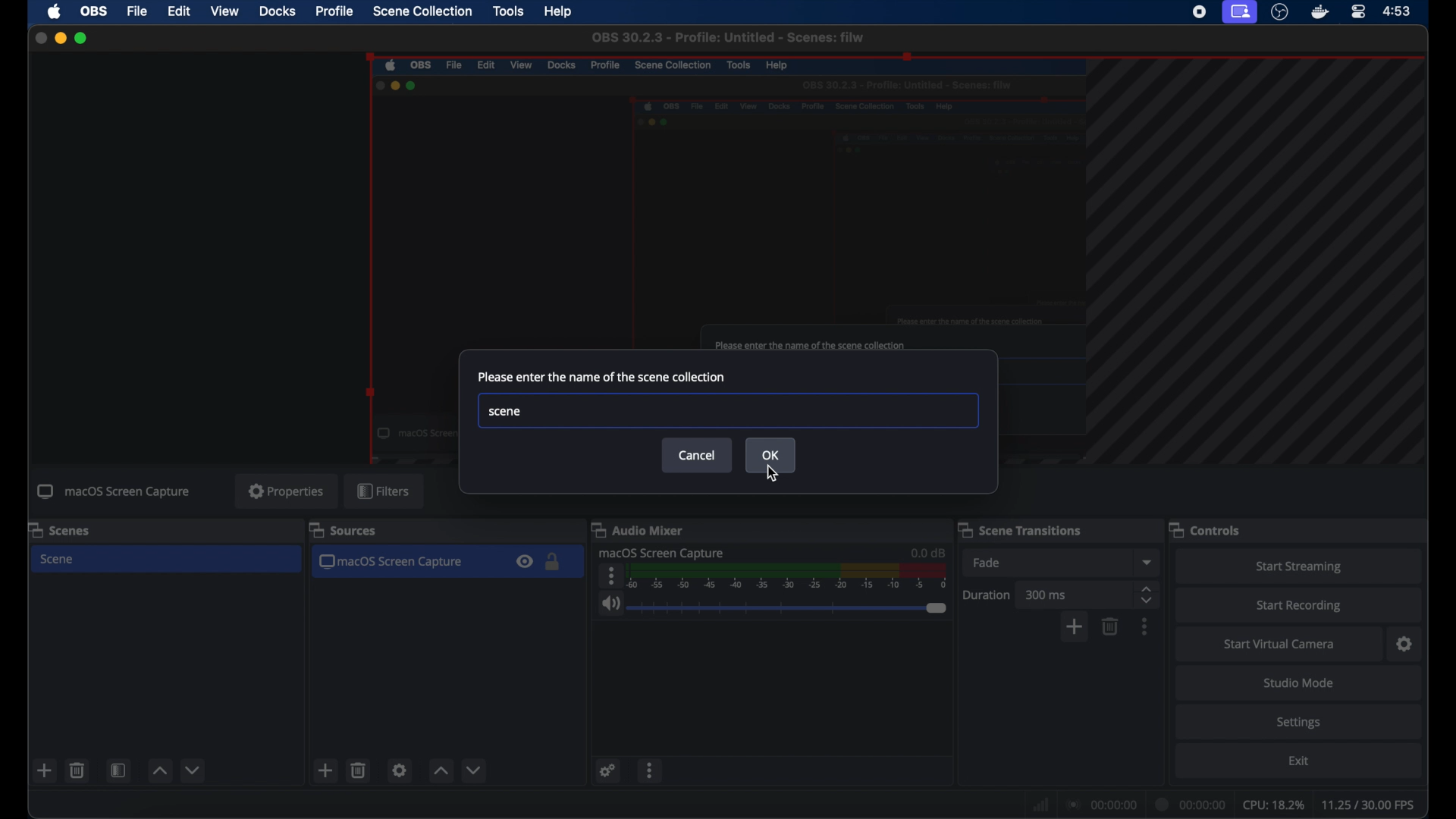  I want to click on trash, so click(358, 770).